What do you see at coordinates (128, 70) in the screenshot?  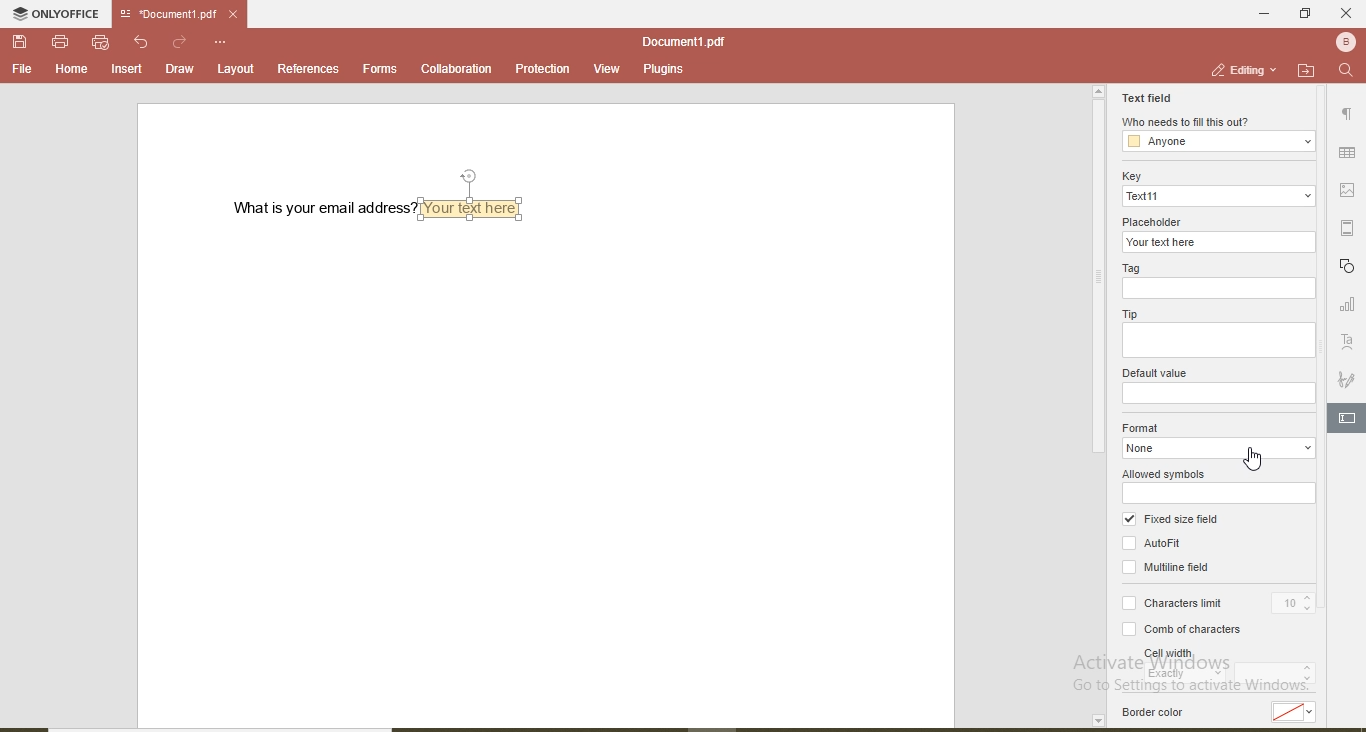 I see `insert` at bounding box center [128, 70].